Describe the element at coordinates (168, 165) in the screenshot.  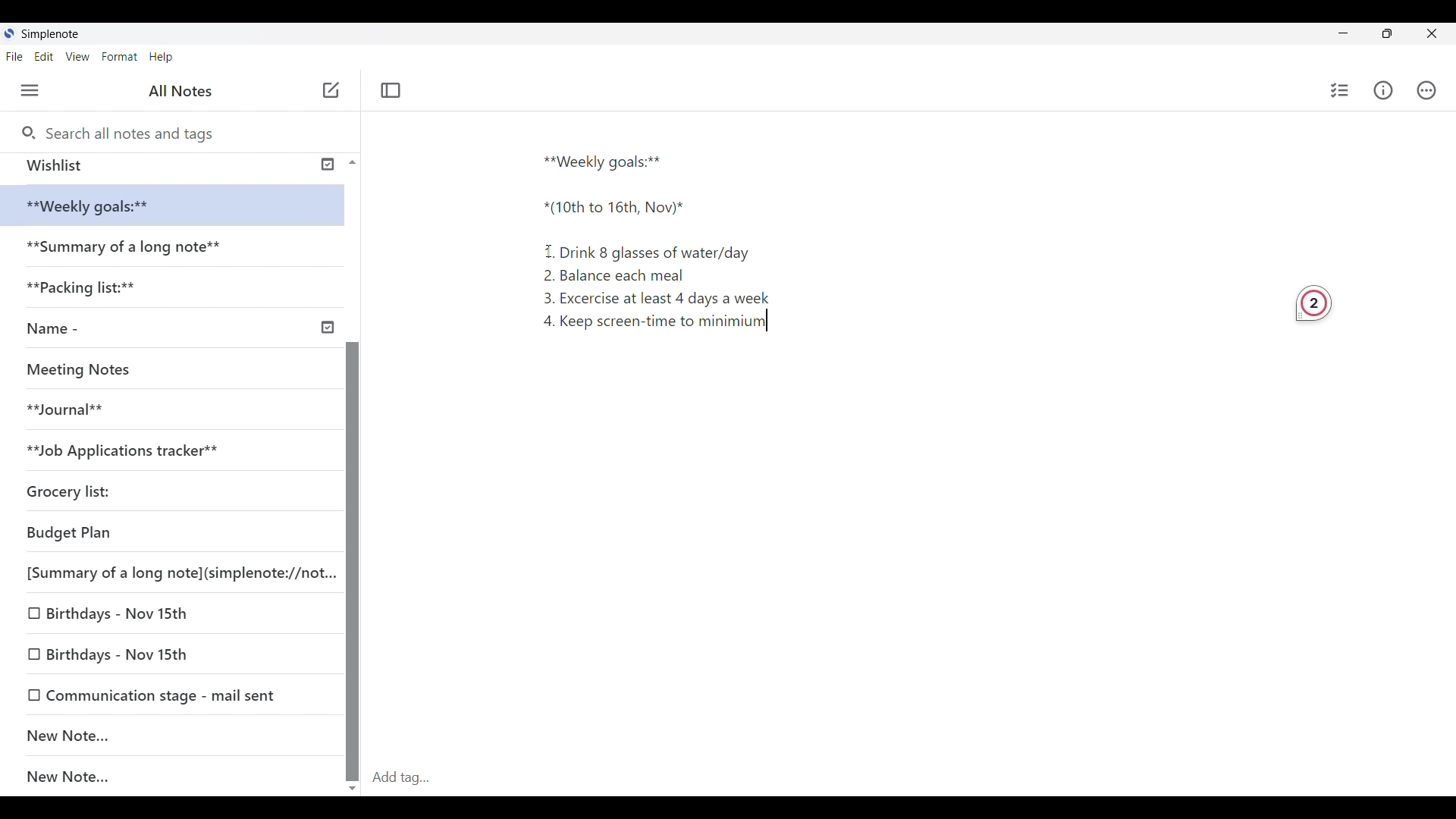
I see `Wishlist` at that location.